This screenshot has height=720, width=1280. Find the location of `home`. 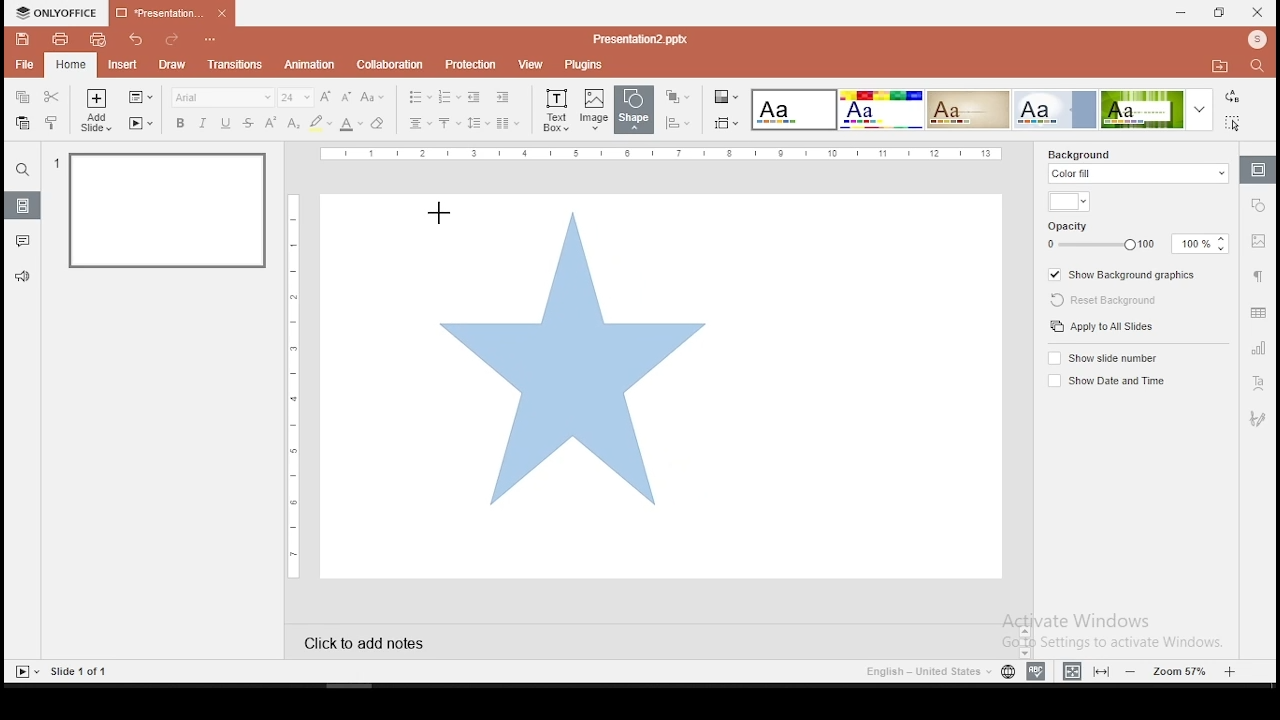

home is located at coordinates (71, 66).